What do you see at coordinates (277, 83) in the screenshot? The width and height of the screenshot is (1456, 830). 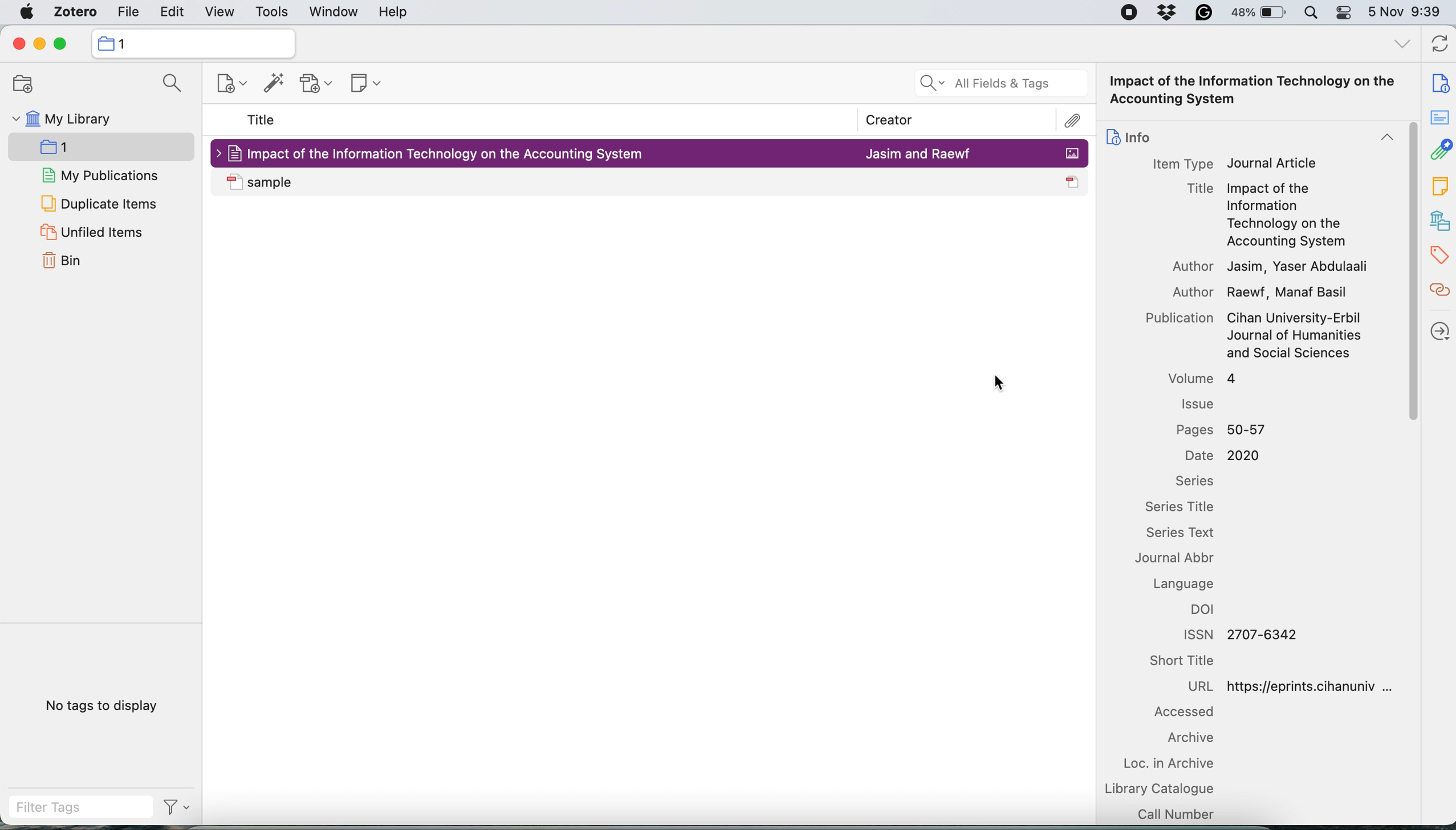 I see `add item by identifier` at bounding box center [277, 83].